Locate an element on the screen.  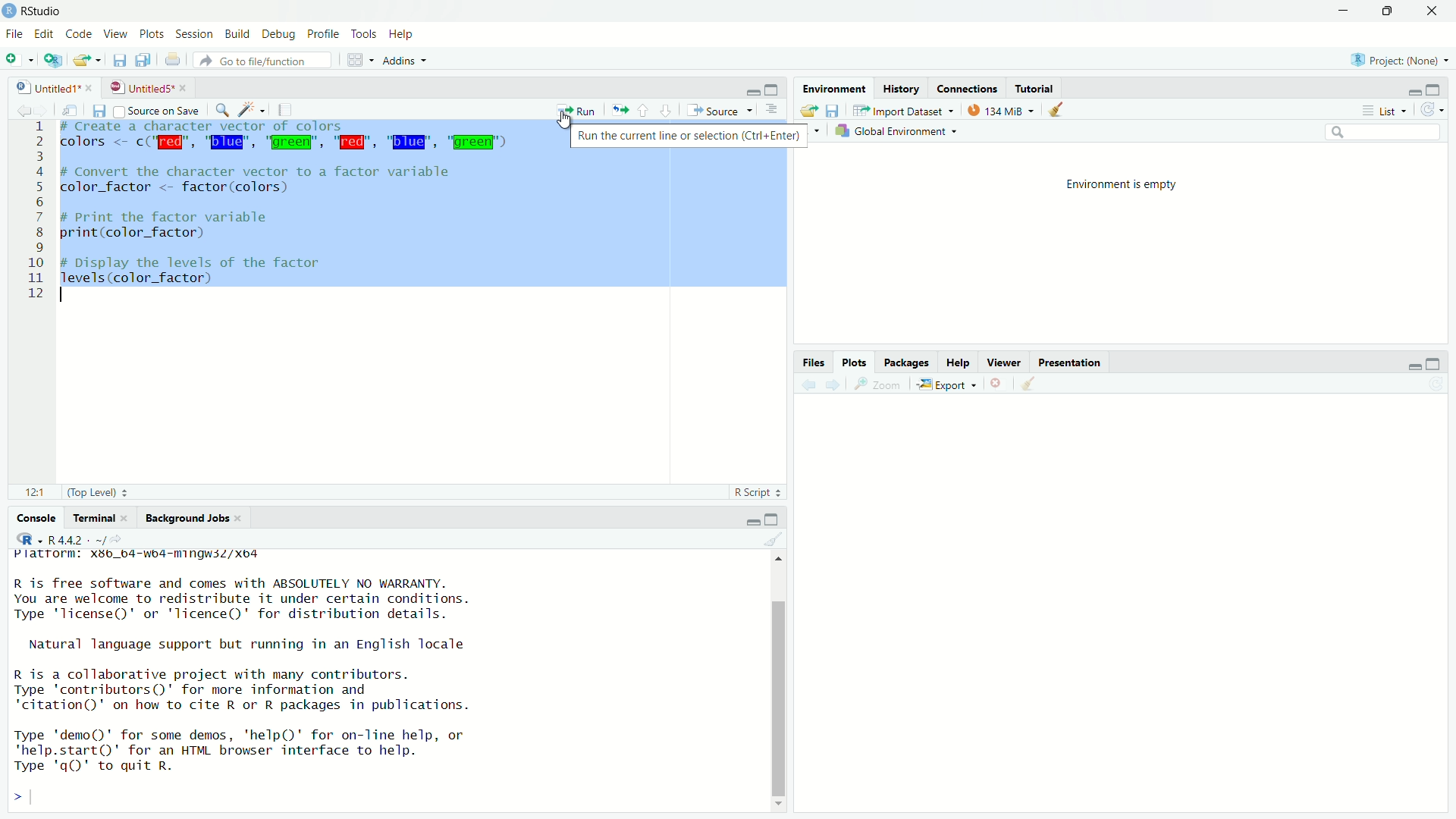
view is located at coordinates (115, 35).